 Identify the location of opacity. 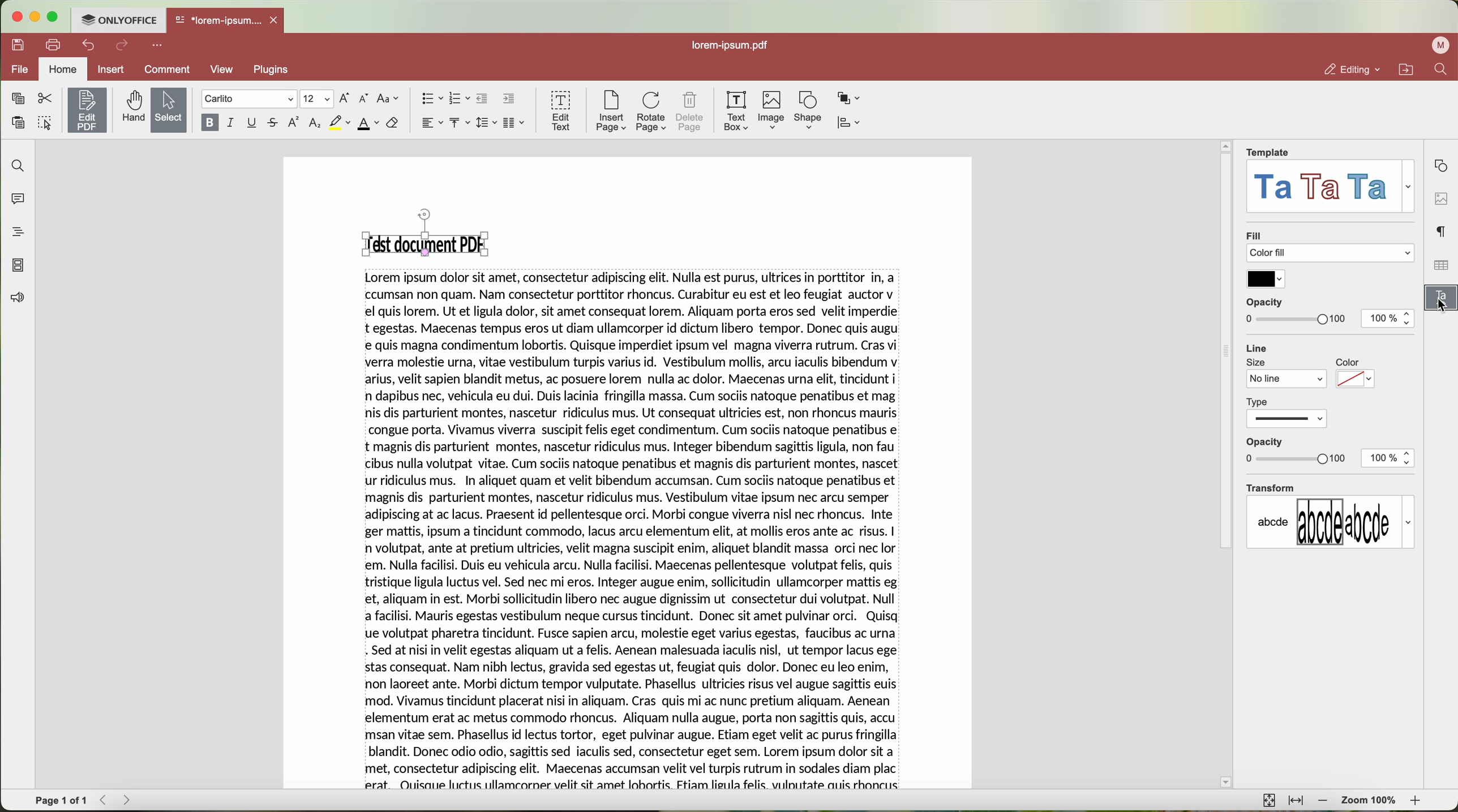
(1296, 311).